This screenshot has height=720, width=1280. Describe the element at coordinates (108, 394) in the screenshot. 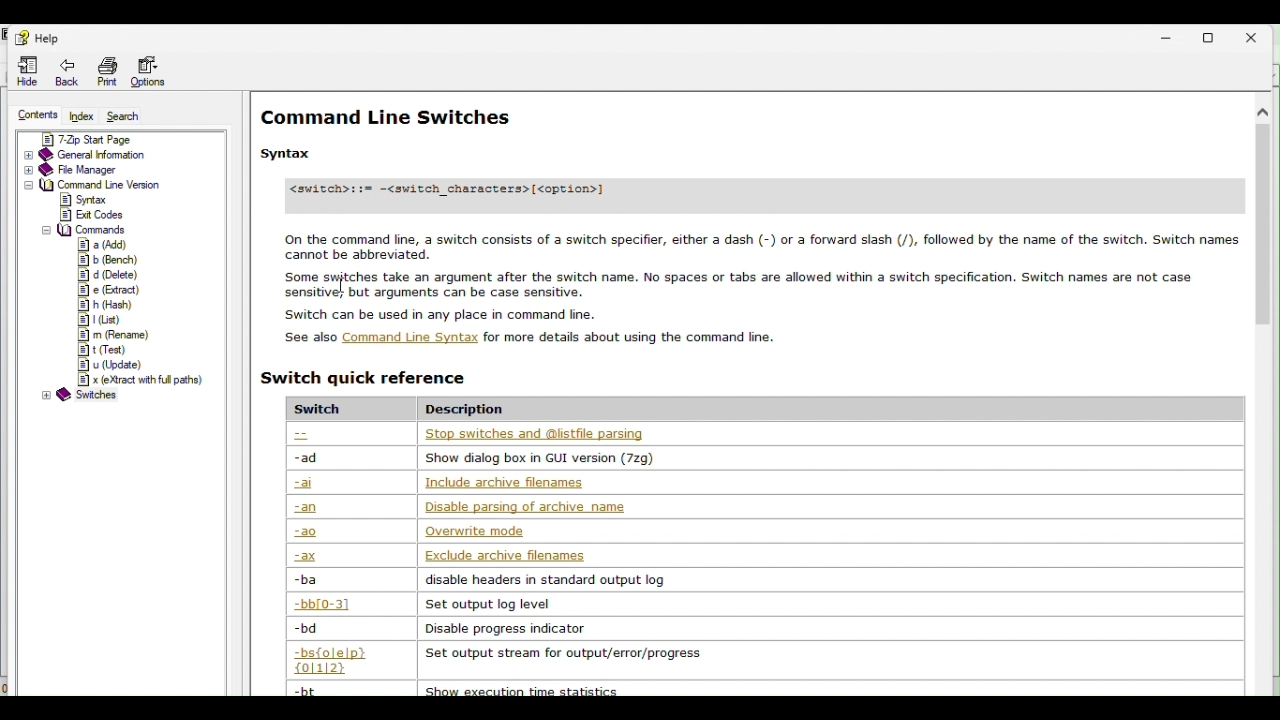

I see `switches` at that location.